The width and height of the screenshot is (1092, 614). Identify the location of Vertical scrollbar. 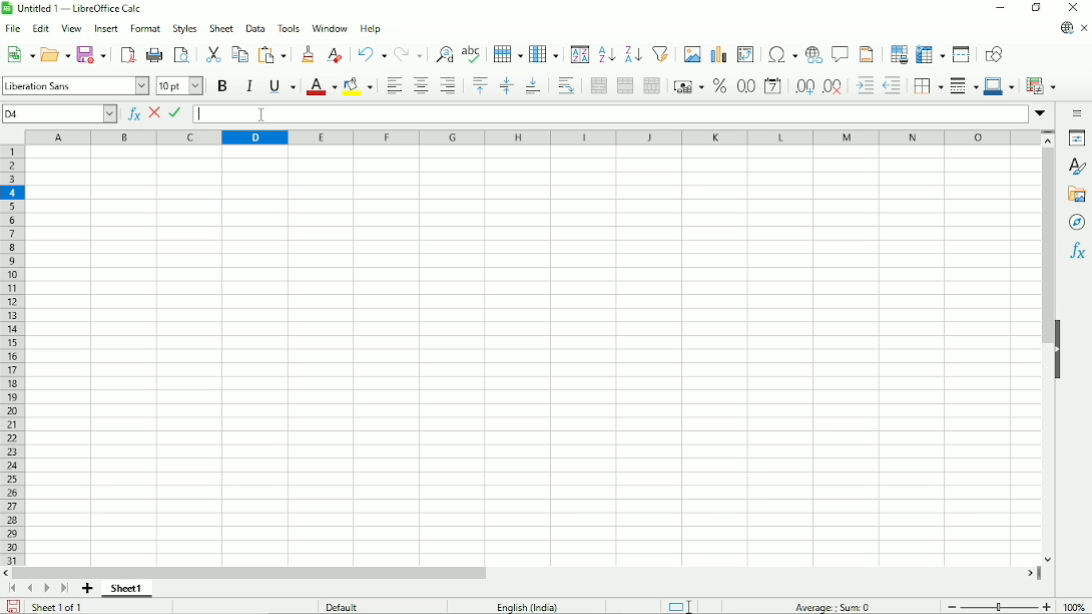
(1046, 355).